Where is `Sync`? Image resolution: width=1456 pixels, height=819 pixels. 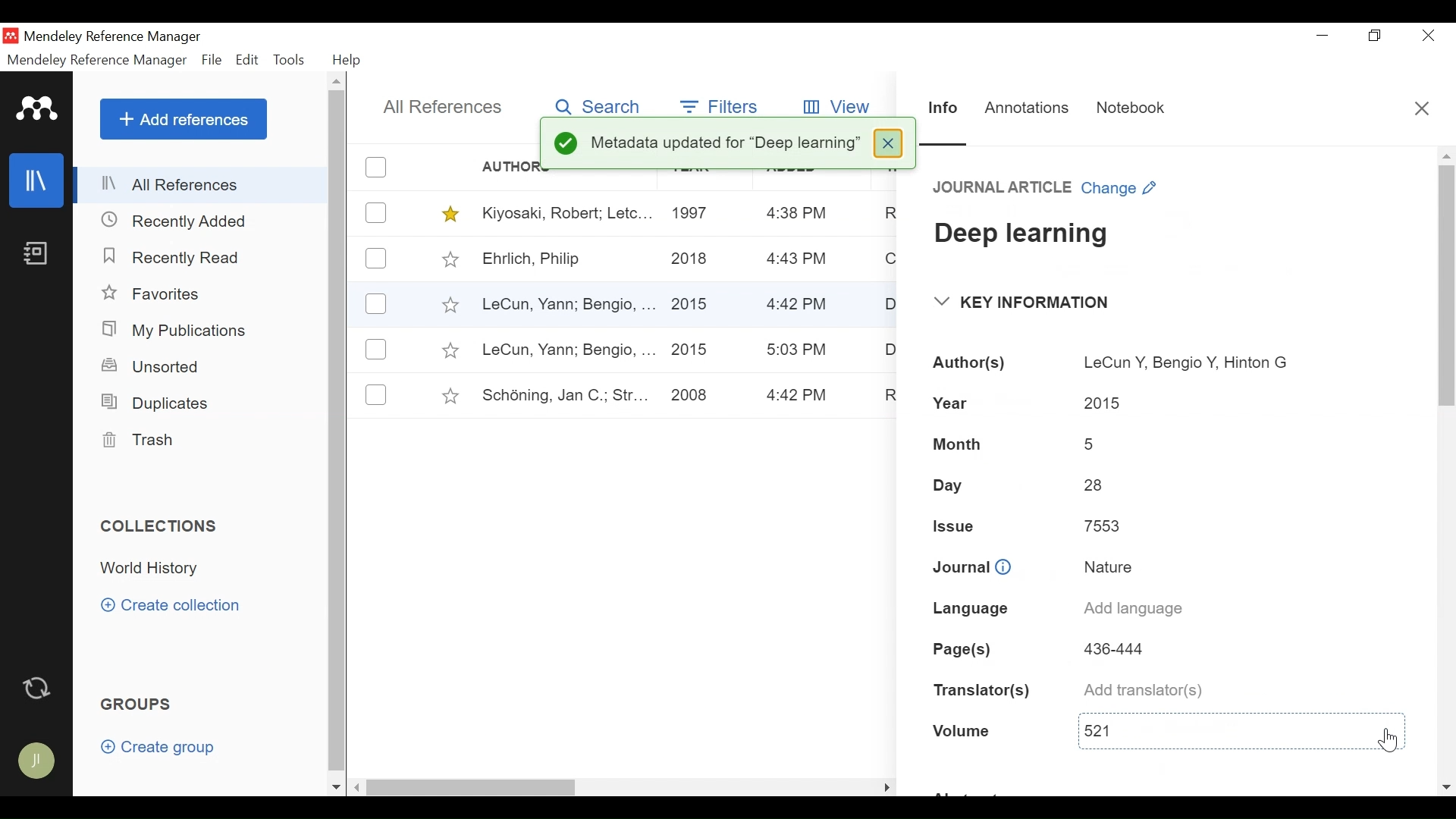 Sync is located at coordinates (40, 689).